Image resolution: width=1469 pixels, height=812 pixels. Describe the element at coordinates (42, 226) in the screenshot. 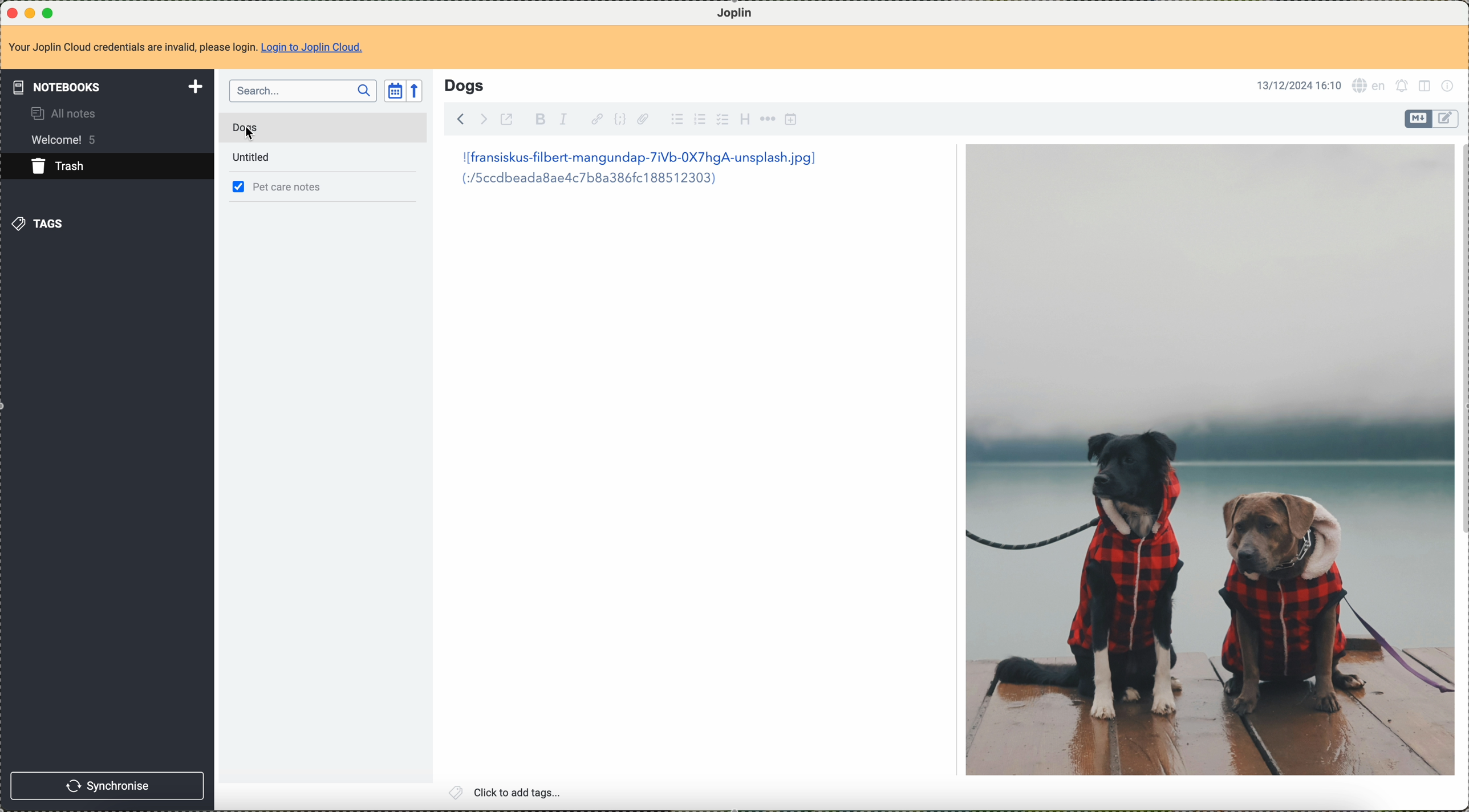

I see `tags` at that location.